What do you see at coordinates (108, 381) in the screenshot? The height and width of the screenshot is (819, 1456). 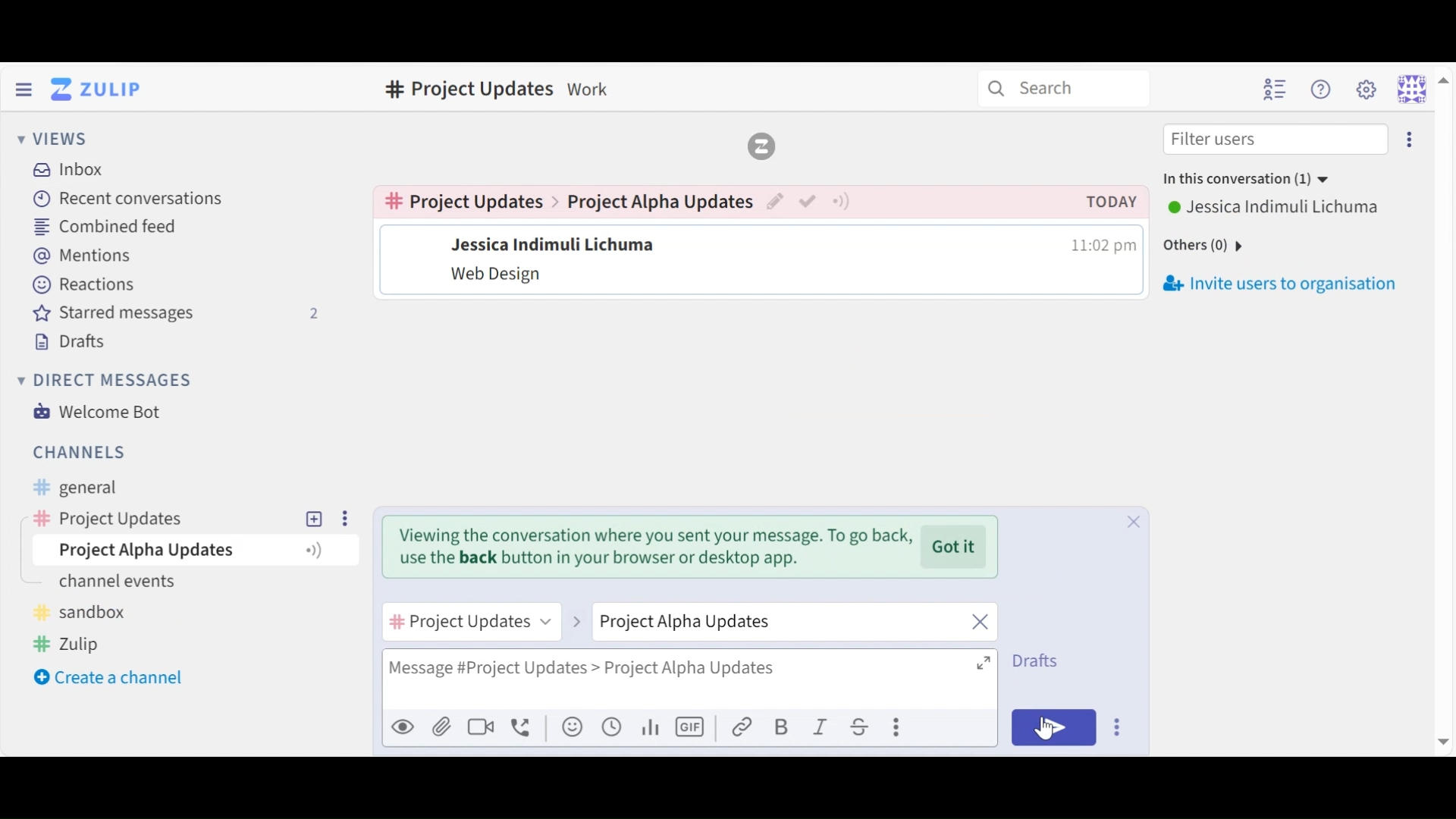 I see `Direct Messages` at bounding box center [108, 381].